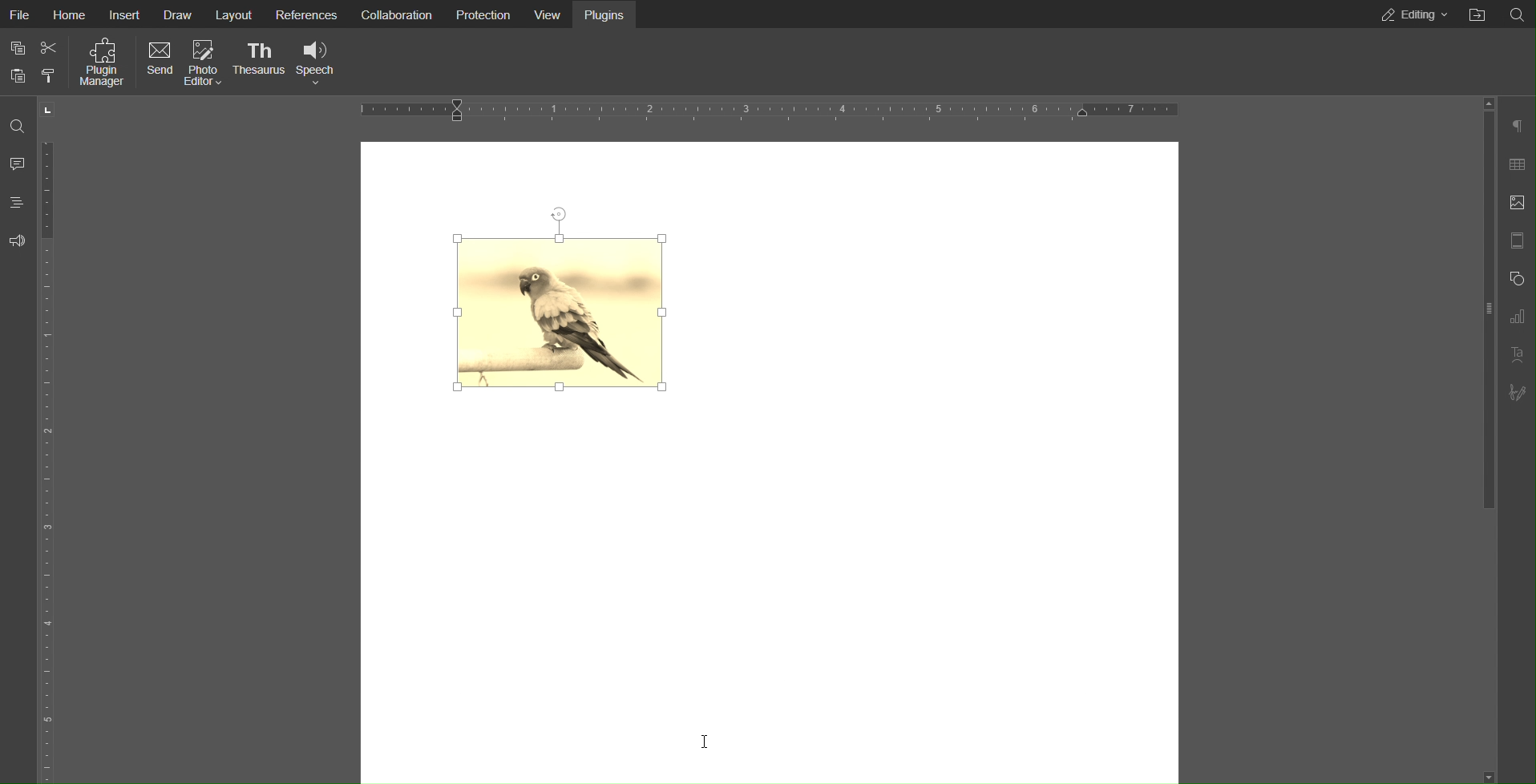 This screenshot has width=1536, height=784. I want to click on Shape Settings, so click(1518, 279).